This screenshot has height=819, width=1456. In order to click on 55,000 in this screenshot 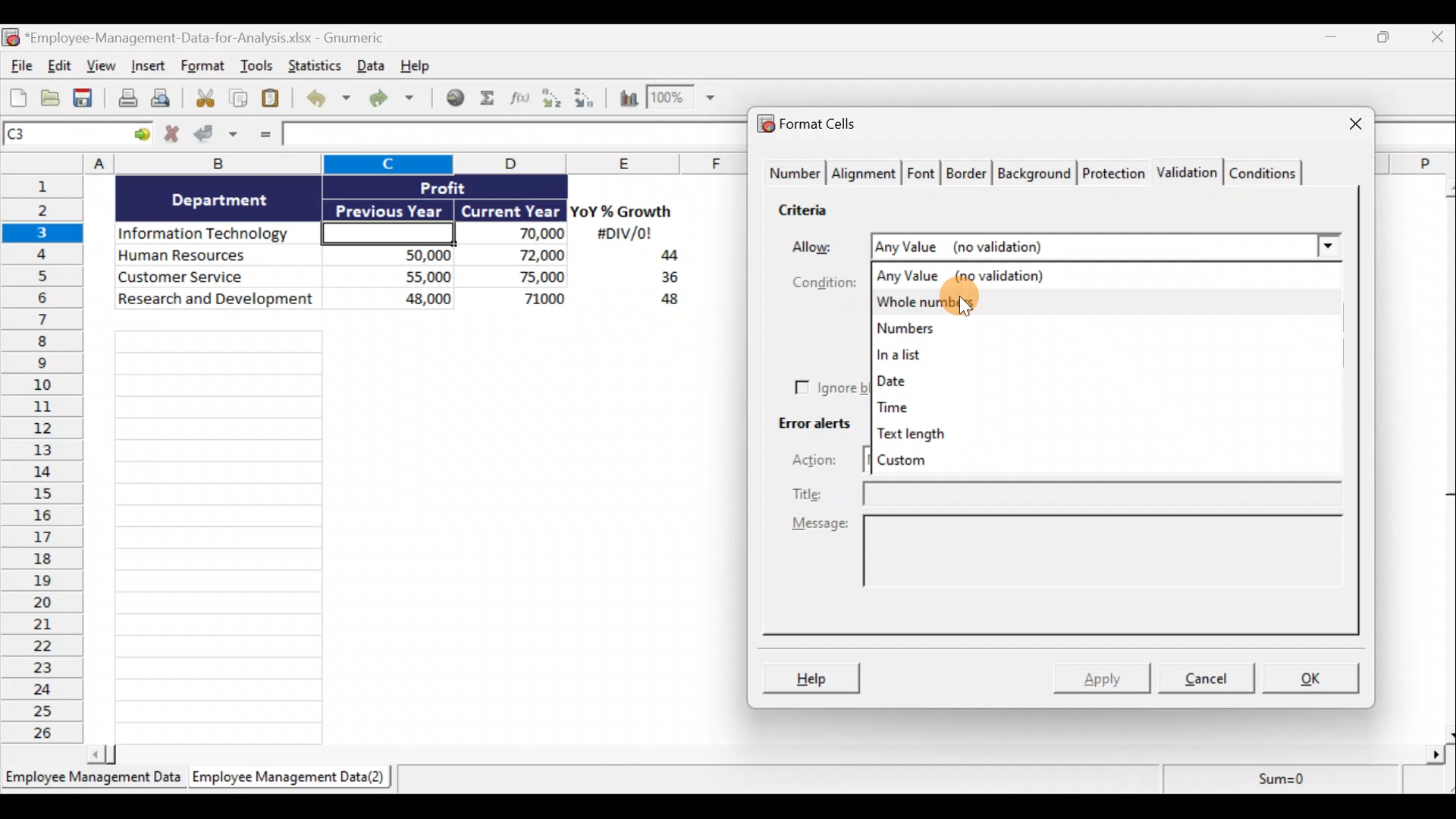, I will do `click(397, 276)`.